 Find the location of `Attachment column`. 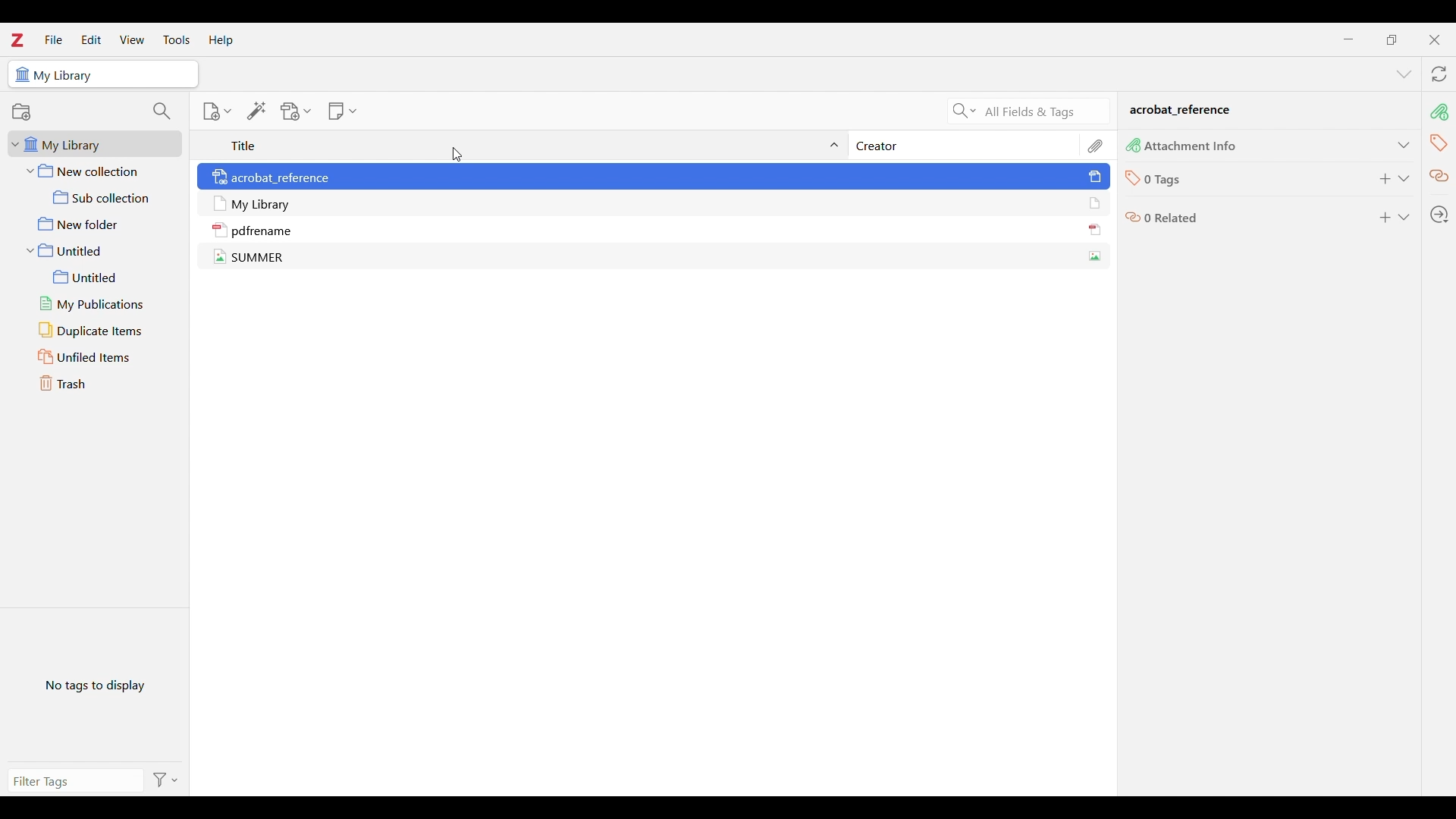

Attachment column is located at coordinates (1097, 145).